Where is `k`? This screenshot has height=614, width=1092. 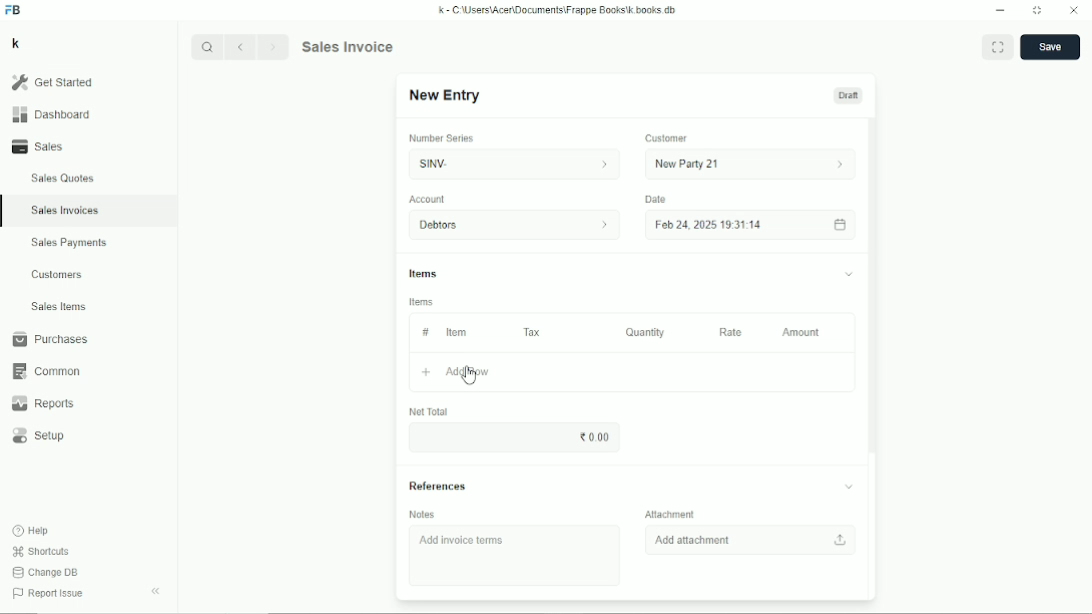 k is located at coordinates (15, 43).